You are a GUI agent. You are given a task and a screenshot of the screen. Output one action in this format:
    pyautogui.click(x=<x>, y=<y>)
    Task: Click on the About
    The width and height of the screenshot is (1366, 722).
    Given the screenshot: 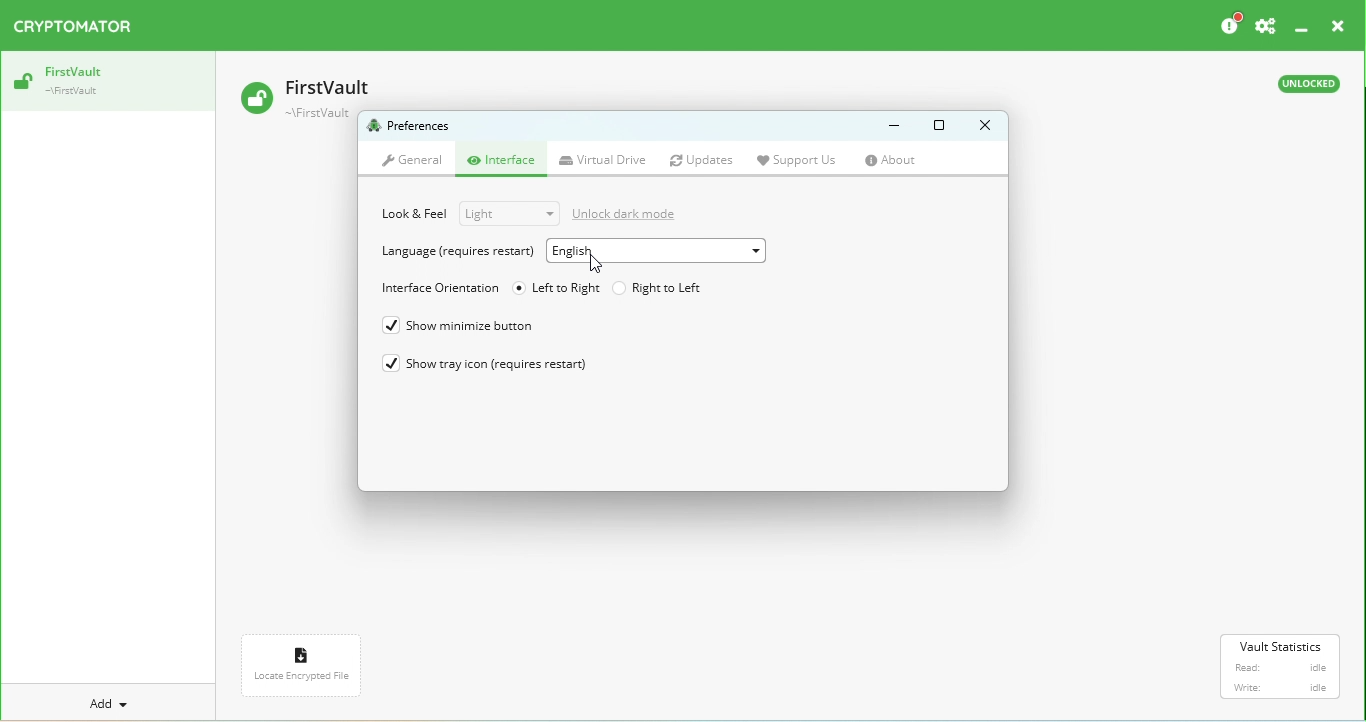 What is the action you would take?
    pyautogui.click(x=899, y=161)
    